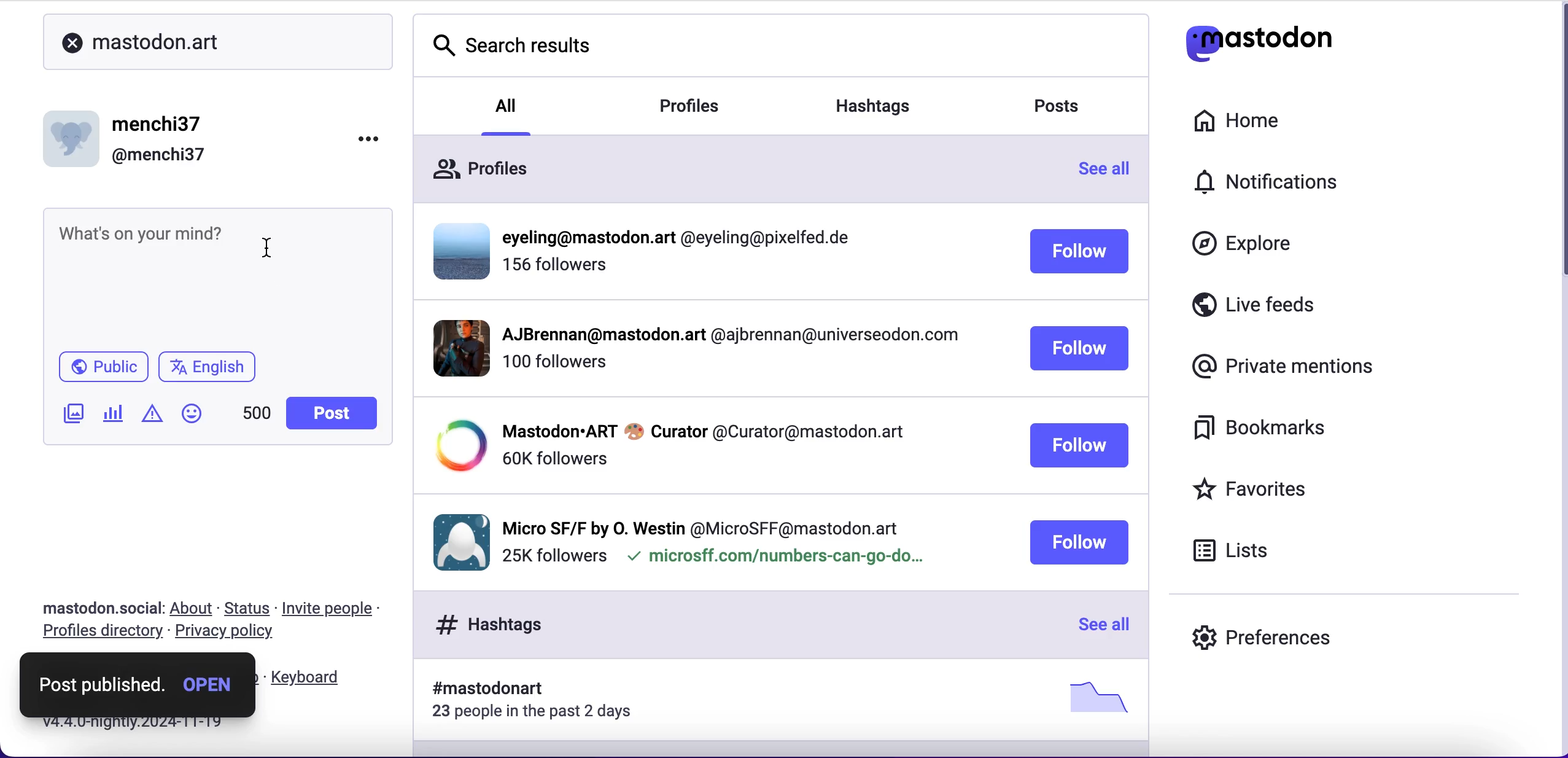 The height and width of the screenshot is (758, 1568). Describe the element at coordinates (96, 606) in the screenshot. I see `mastodon.social` at that location.